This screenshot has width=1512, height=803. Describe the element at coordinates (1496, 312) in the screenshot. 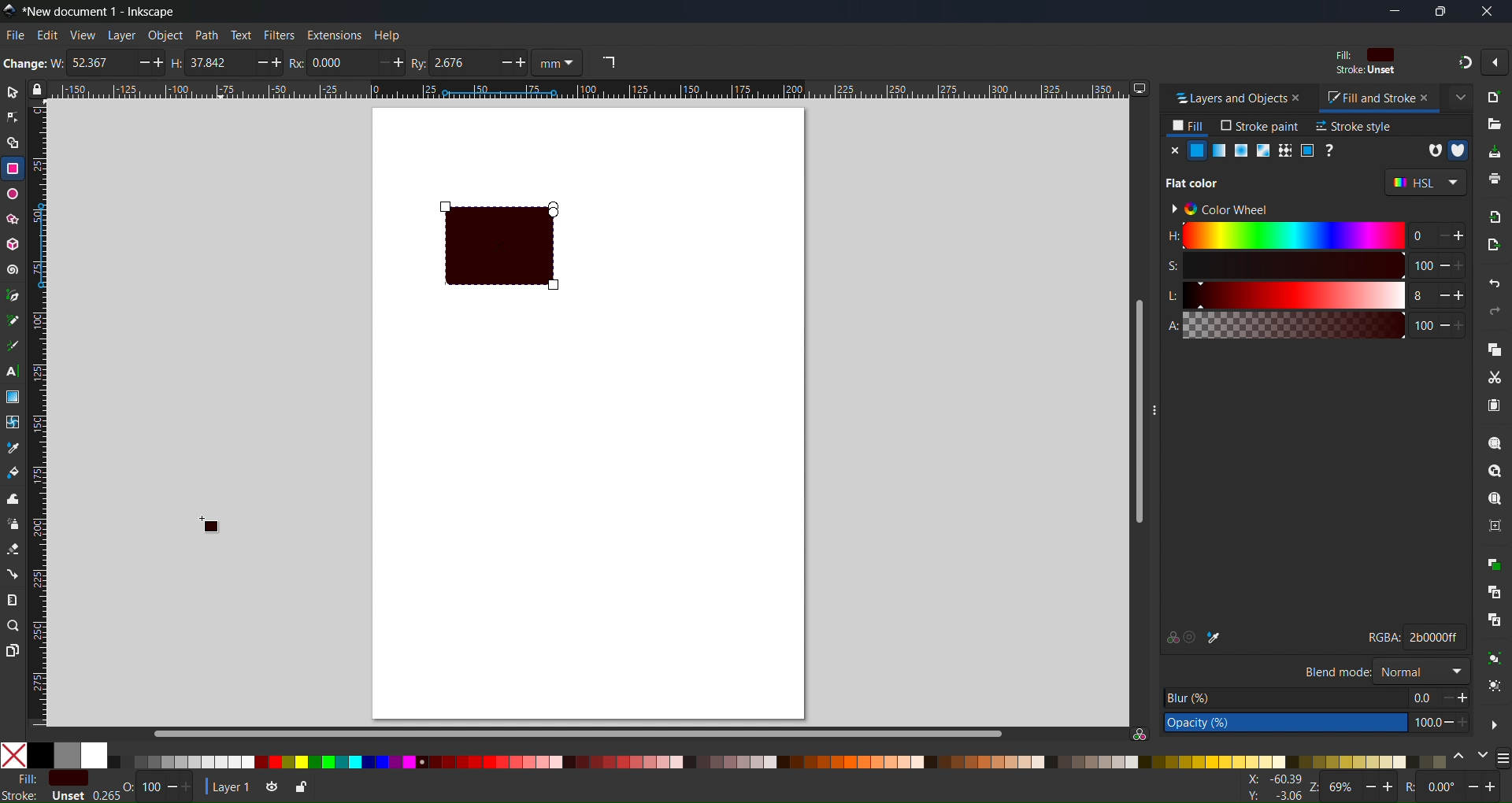

I see `Redo` at that location.